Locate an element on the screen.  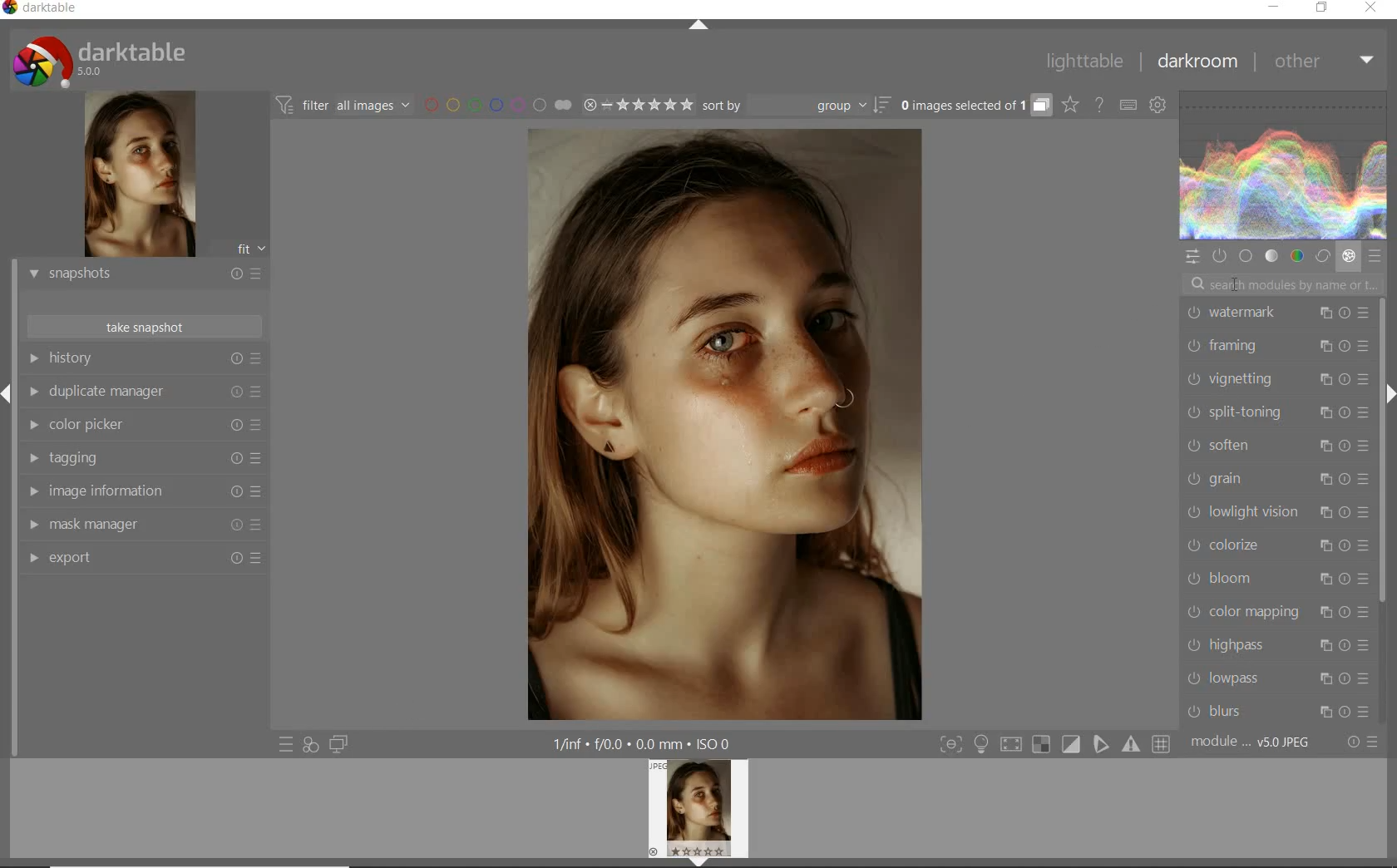
export is located at coordinates (144, 560).